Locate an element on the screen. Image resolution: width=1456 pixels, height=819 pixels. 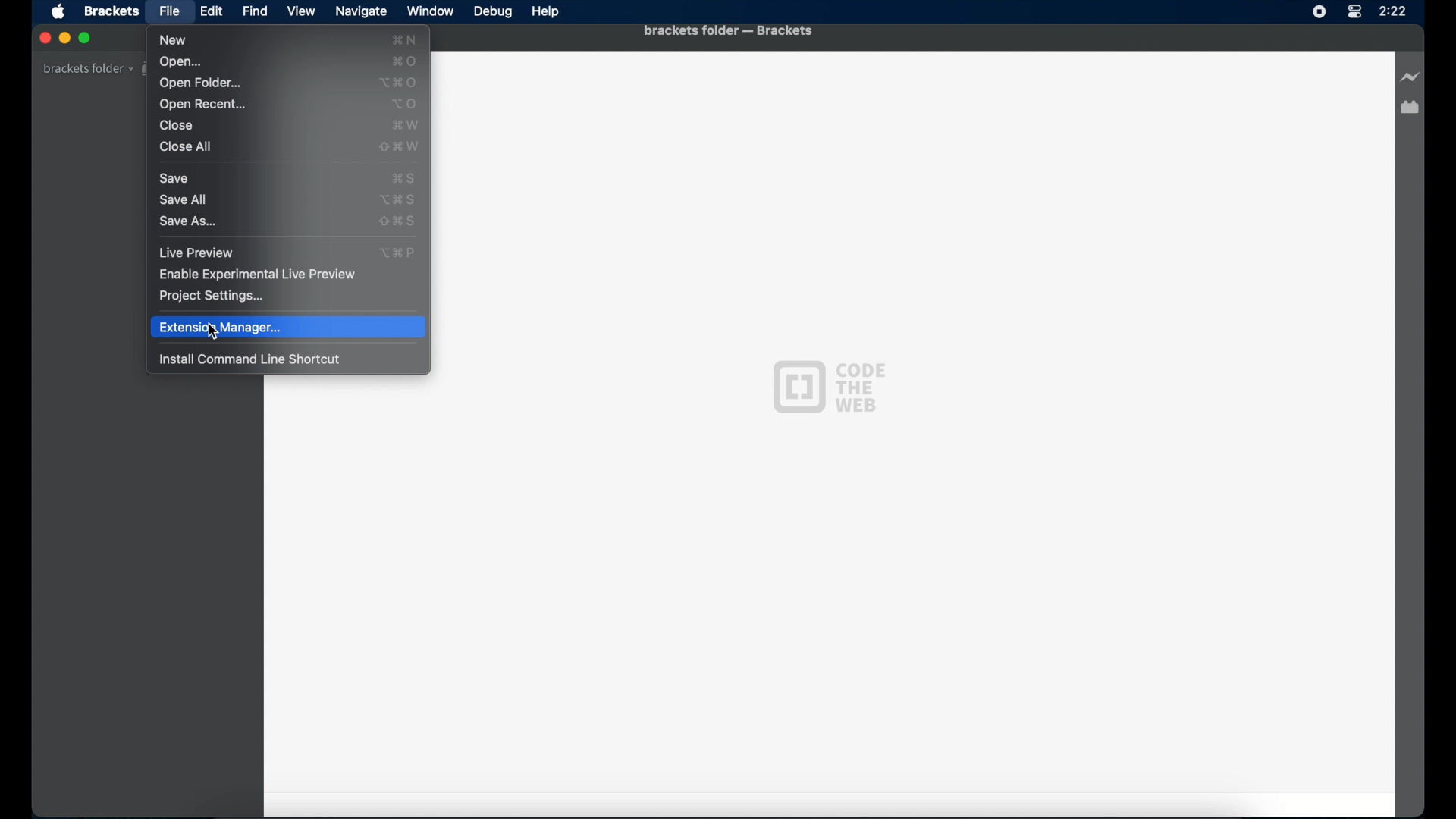
file is located at coordinates (170, 11).